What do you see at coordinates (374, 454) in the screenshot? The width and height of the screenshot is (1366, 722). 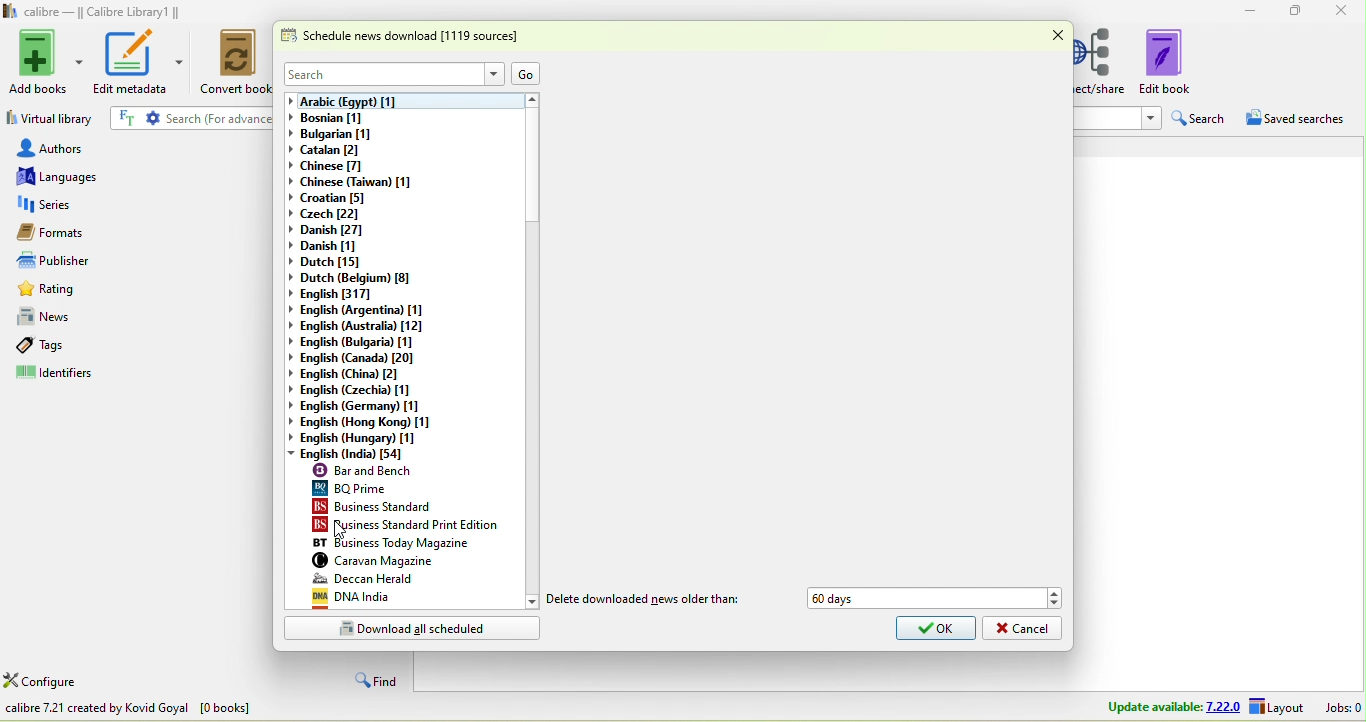 I see `english (india)[54]` at bounding box center [374, 454].